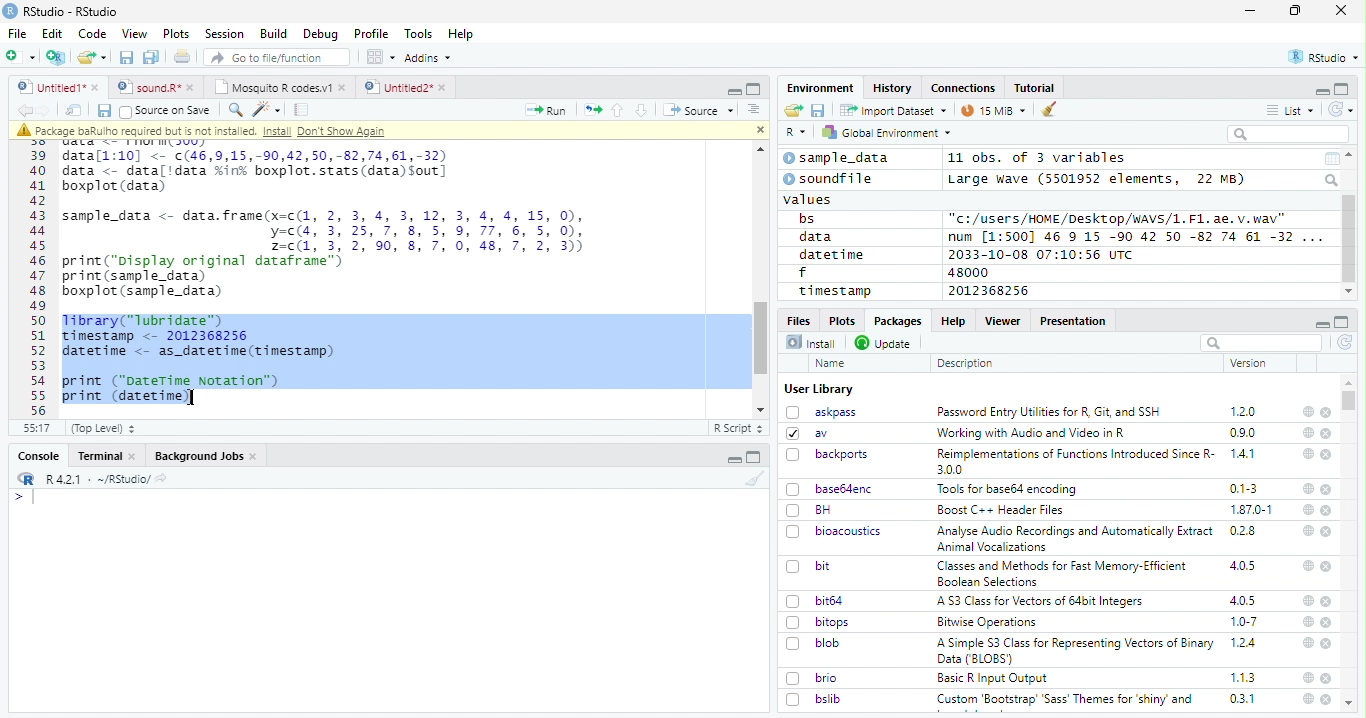 The height and width of the screenshot is (718, 1366). Describe the element at coordinates (754, 88) in the screenshot. I see `Full screen` at that location.